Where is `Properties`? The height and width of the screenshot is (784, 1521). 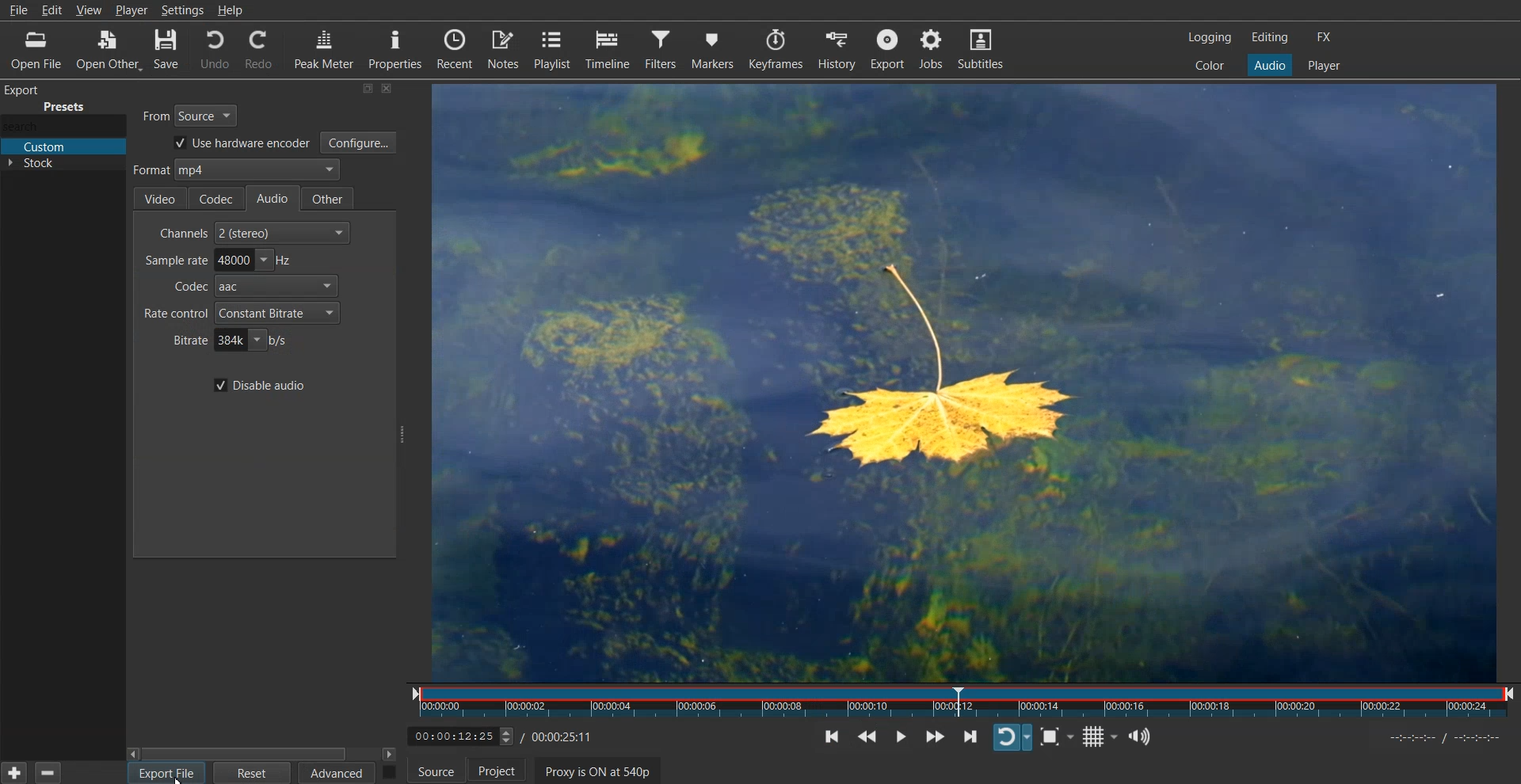 Properties is located at coordinates (395, 49).